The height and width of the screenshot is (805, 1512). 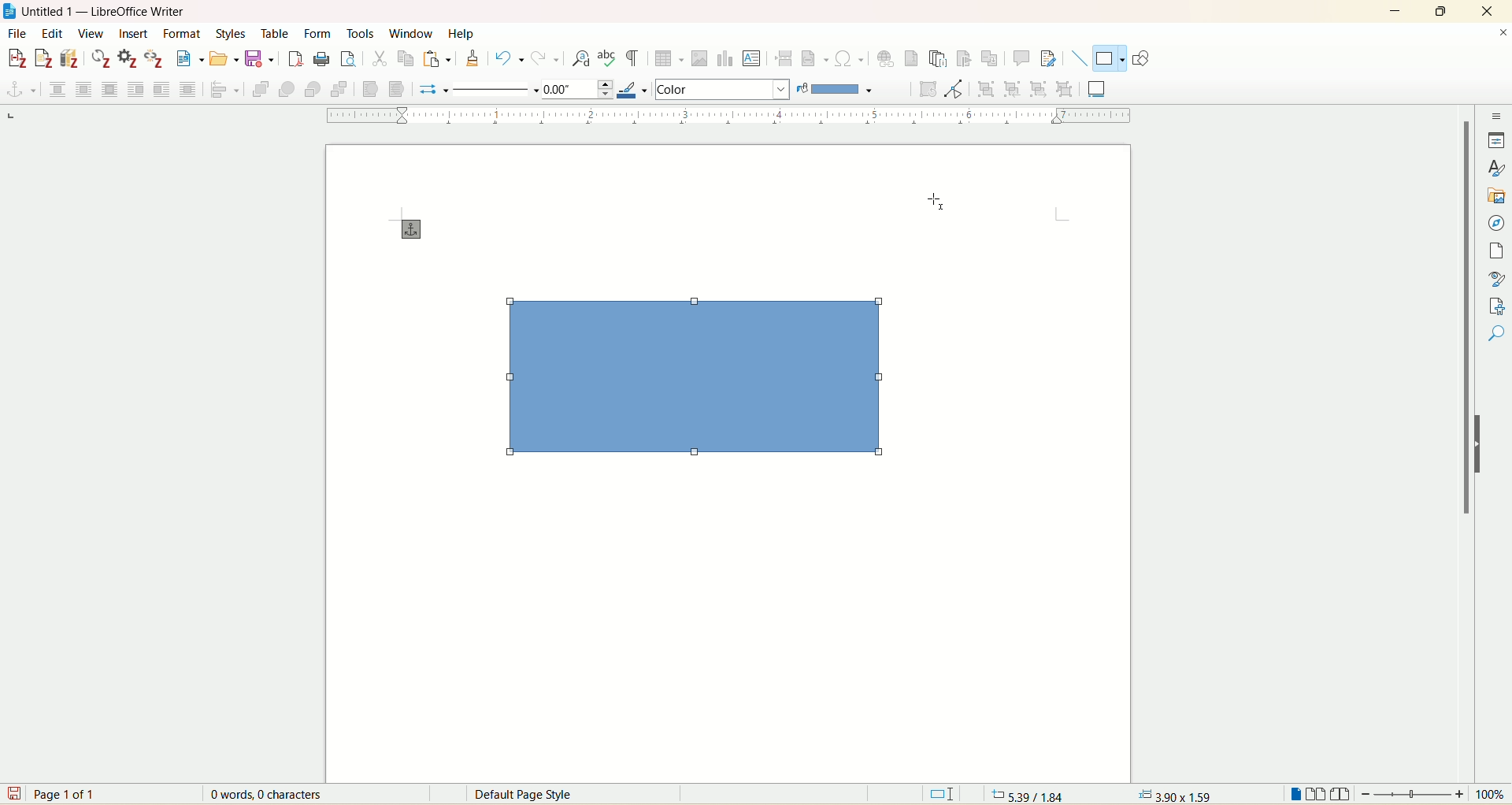 I want to click on refresh, so click(x=102, y=59).